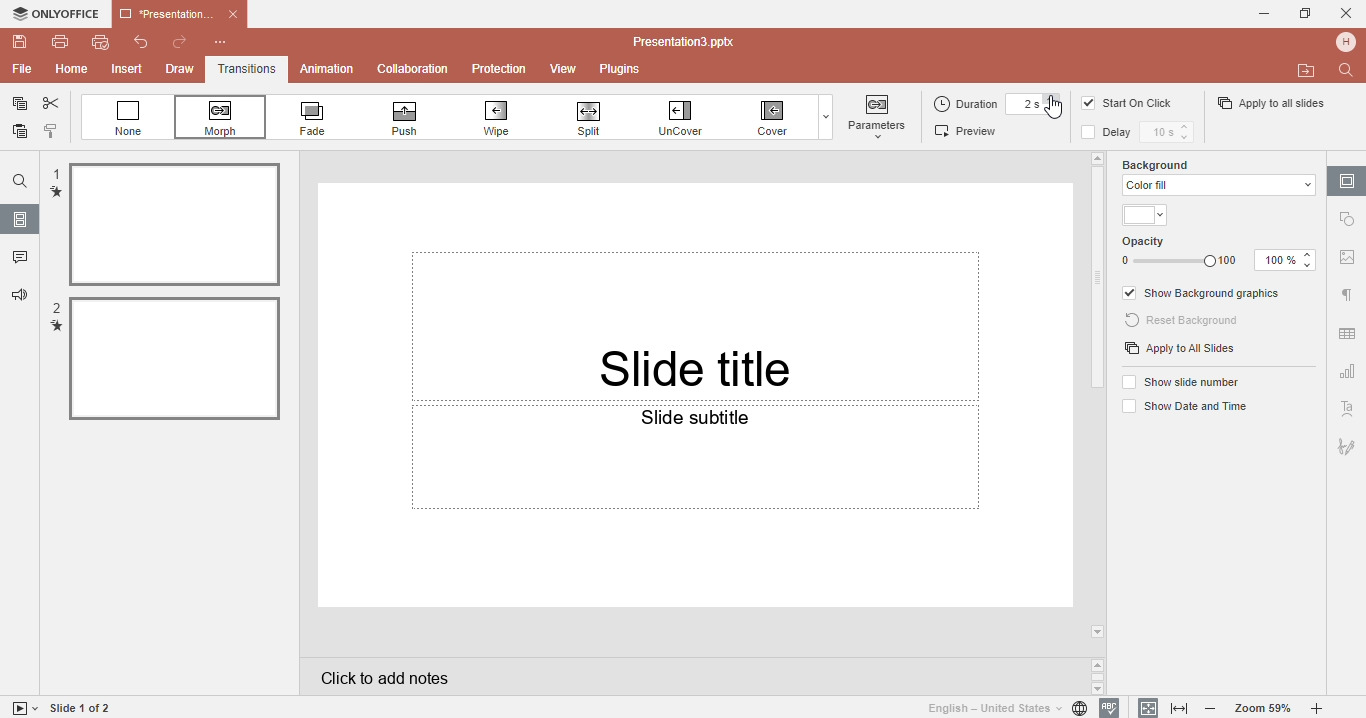 This screenshot has width=1366, height=718. I want to click on Set document language, so click(1006, 708).